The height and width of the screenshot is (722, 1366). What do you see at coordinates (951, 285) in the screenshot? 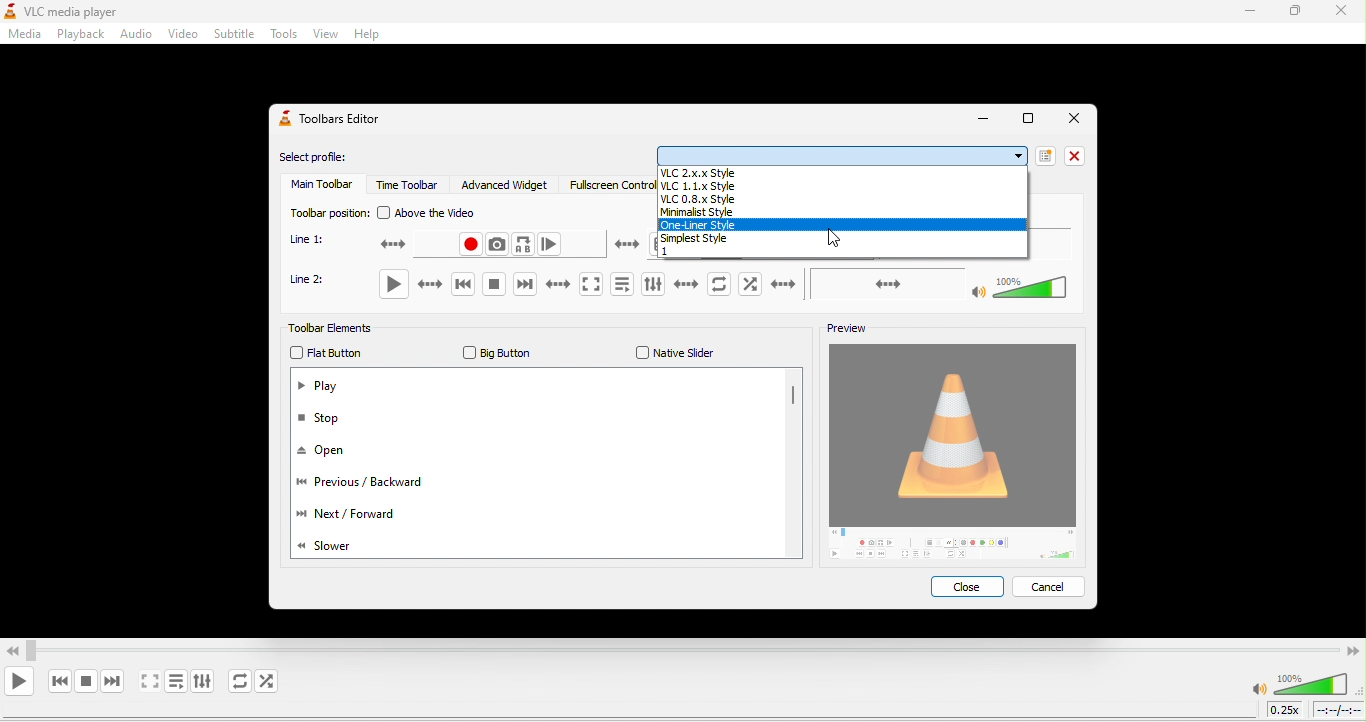
I see `volume` at bounding box center [951, 285].